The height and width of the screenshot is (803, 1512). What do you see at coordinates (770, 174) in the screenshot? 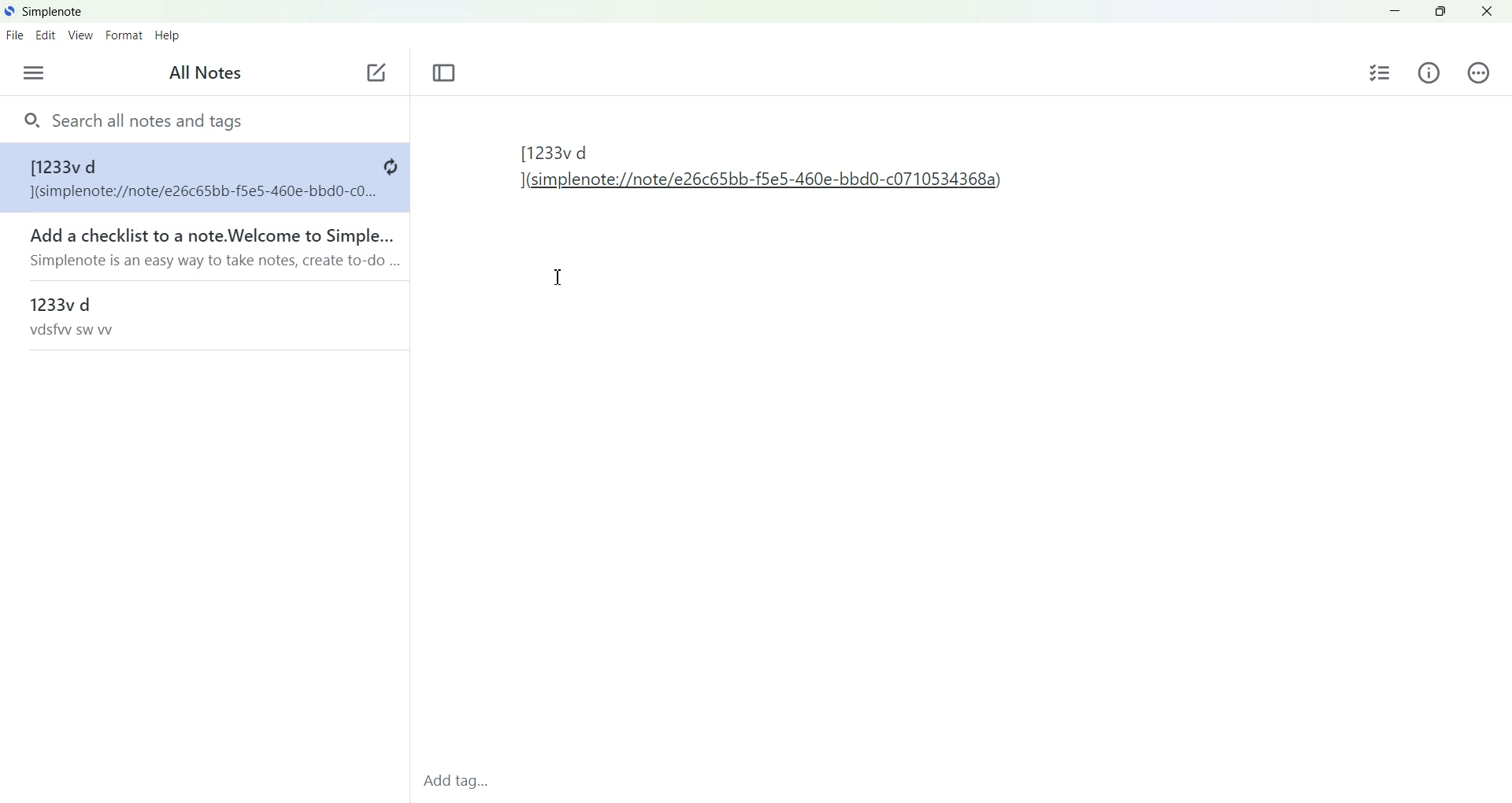
I see `Internal link copied` at bounding box center [770, 174].